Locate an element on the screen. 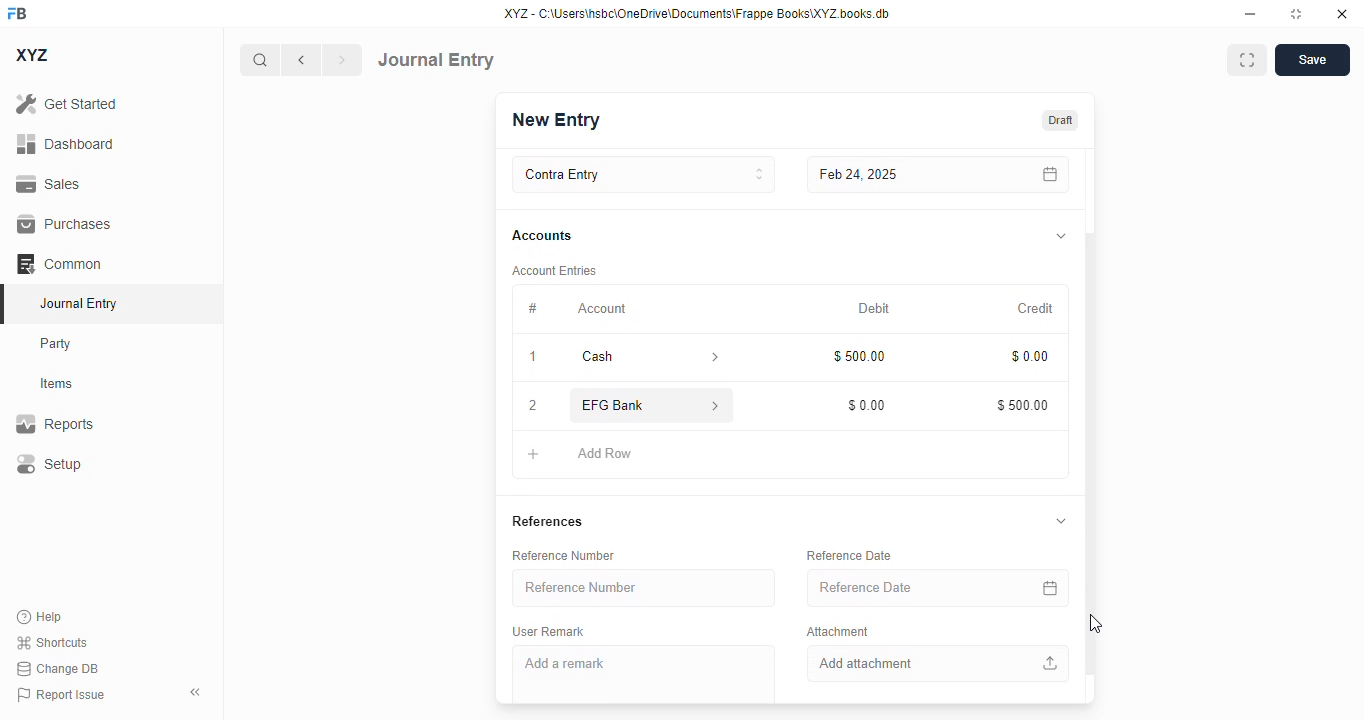 Image resolution: width=1364 pixels, height=720 pixels. add button is located at coordinates (533, 455).